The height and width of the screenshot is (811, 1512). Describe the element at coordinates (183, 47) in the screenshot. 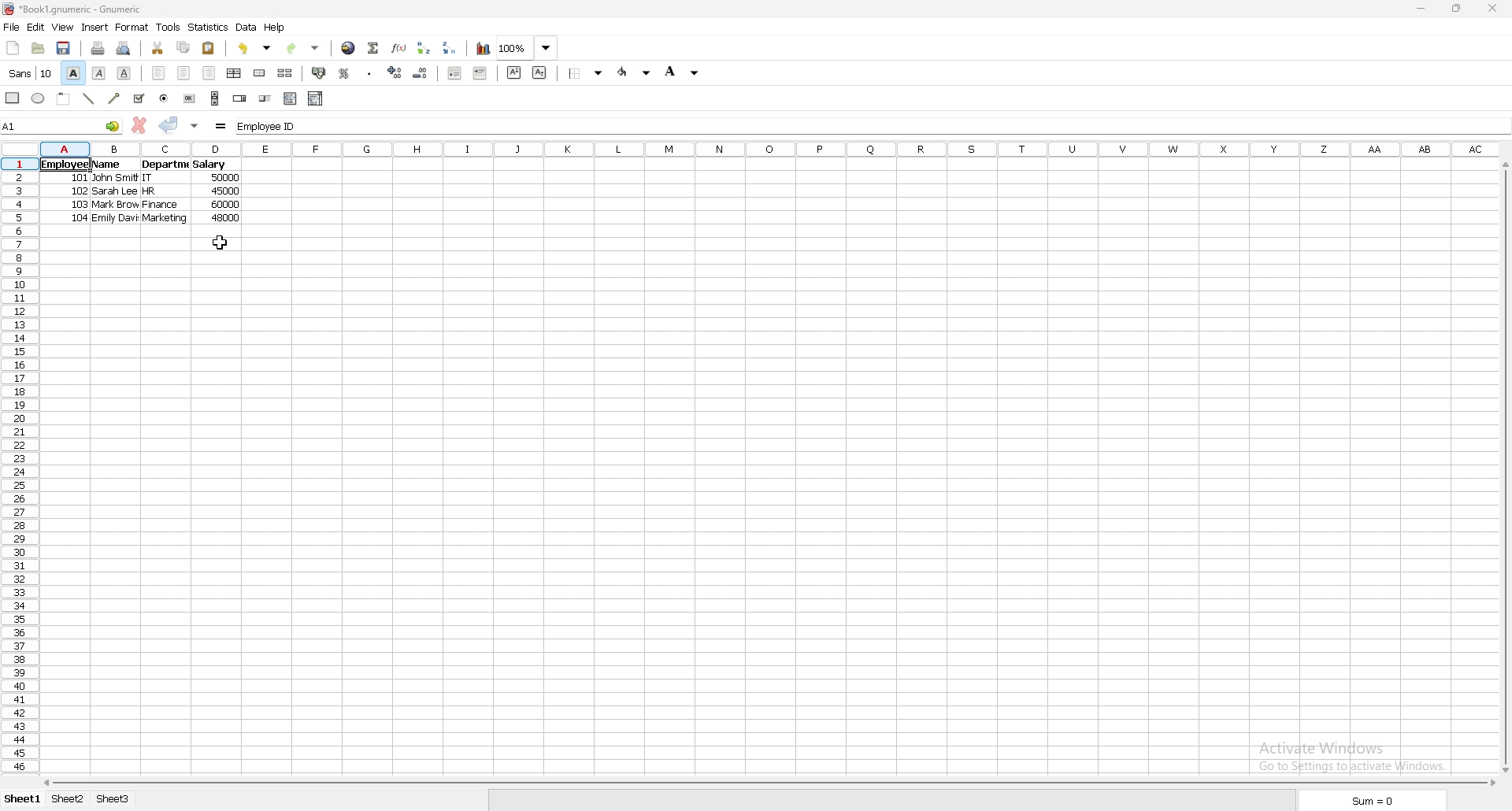

I see `copy` at that location.